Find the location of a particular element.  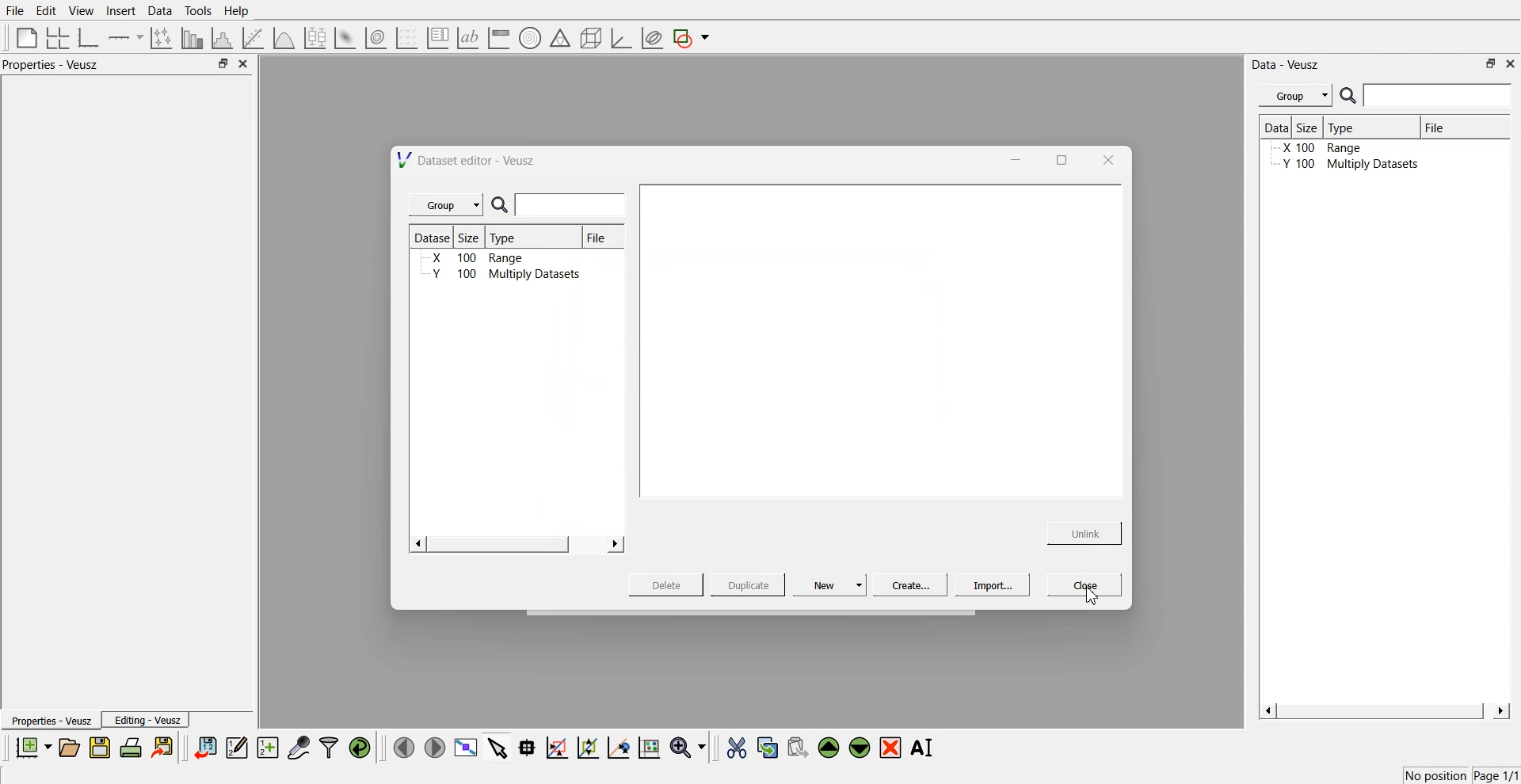

Dataset is located at coordinates (434, 238).